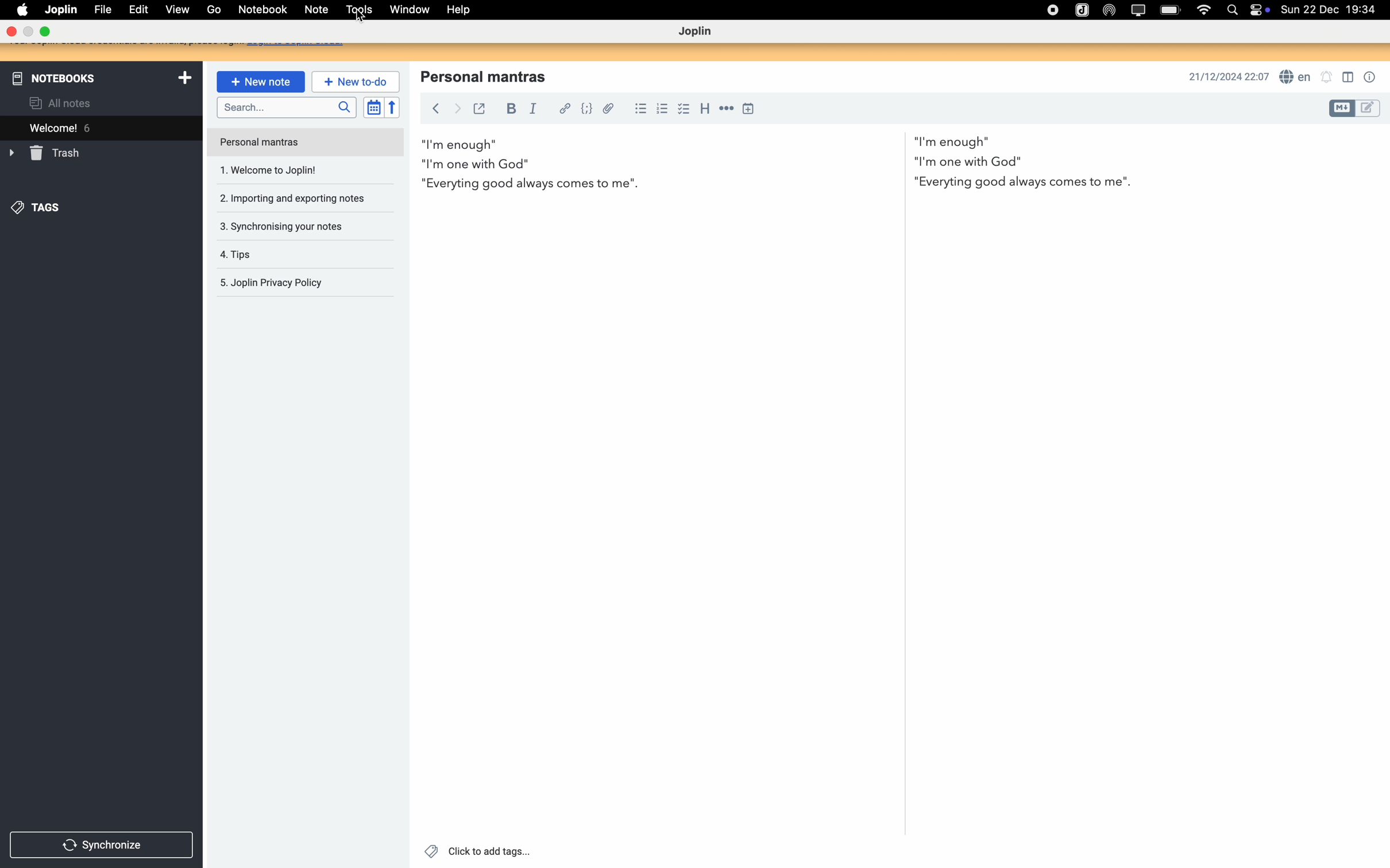 This screenshot has width=1390, height=868. I want to click on toggle editor layout, so click(1369, 108).